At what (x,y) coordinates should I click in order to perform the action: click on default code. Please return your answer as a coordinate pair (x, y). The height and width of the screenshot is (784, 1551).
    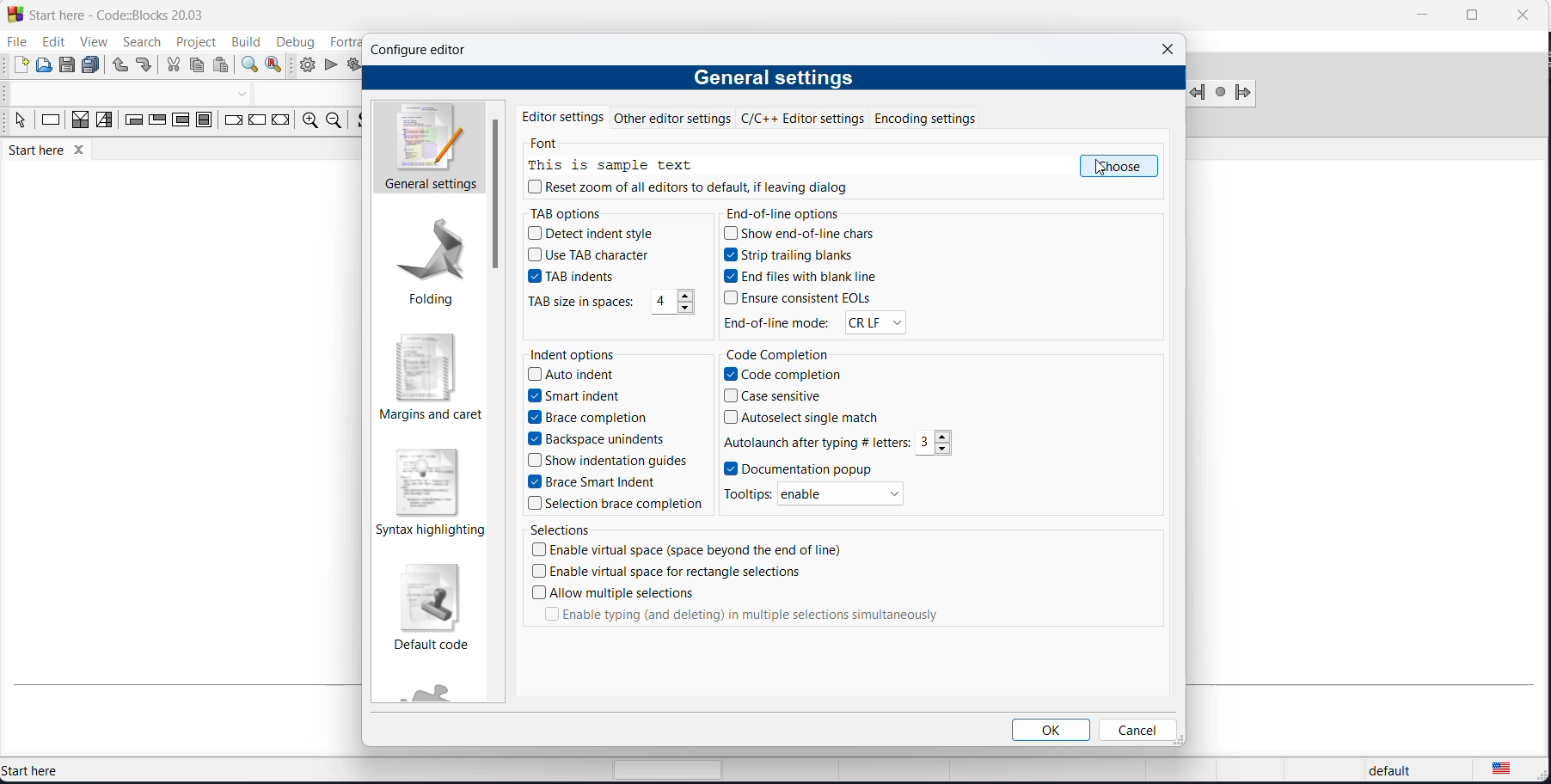
    Looking at the image, I should click on (435, 606).